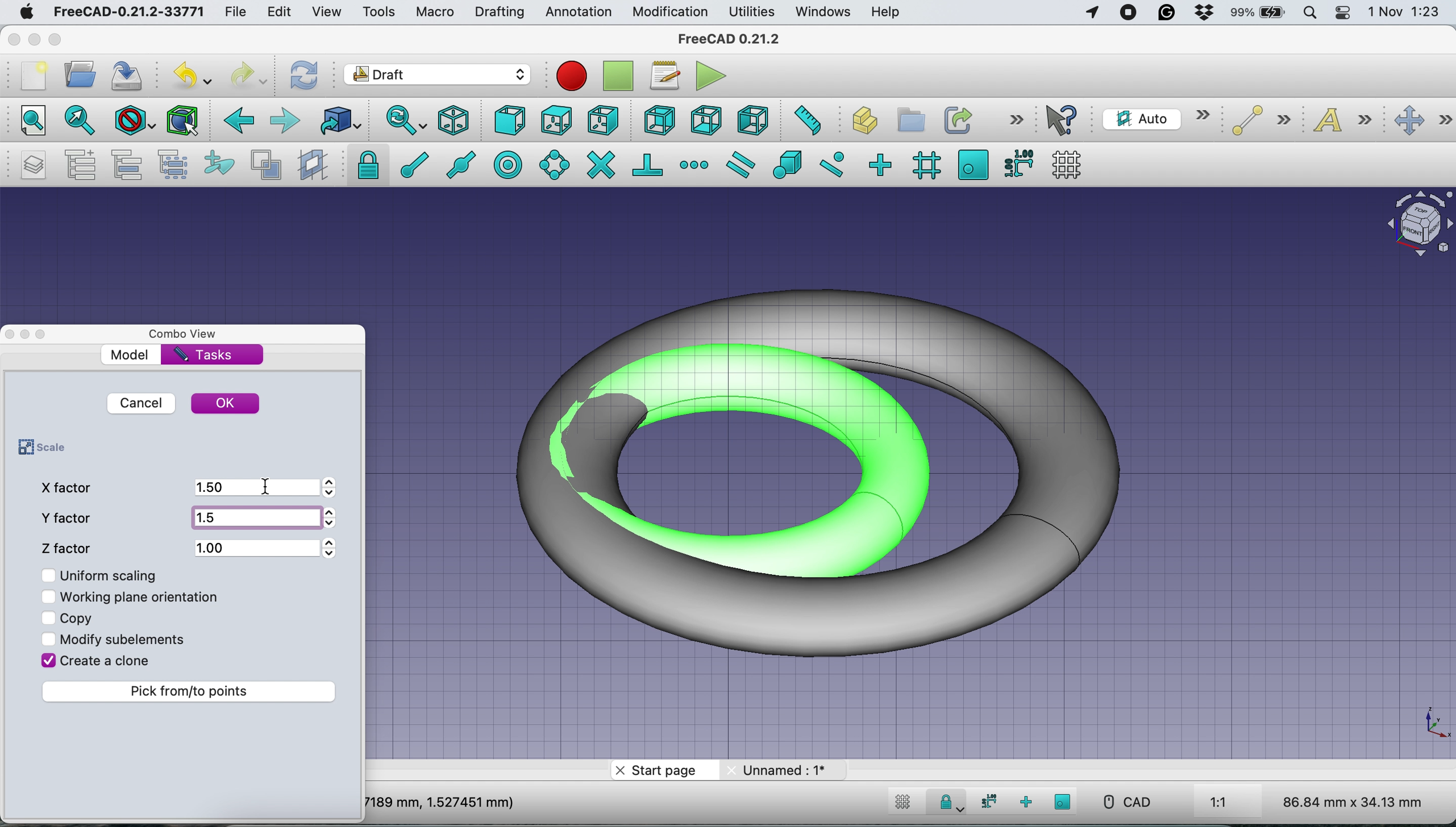 Image resolution: width=1456 pixels, height=827 pixels. Describe the element at coordinates (131, 165) in the screenshot. I see `move to group` at that location.